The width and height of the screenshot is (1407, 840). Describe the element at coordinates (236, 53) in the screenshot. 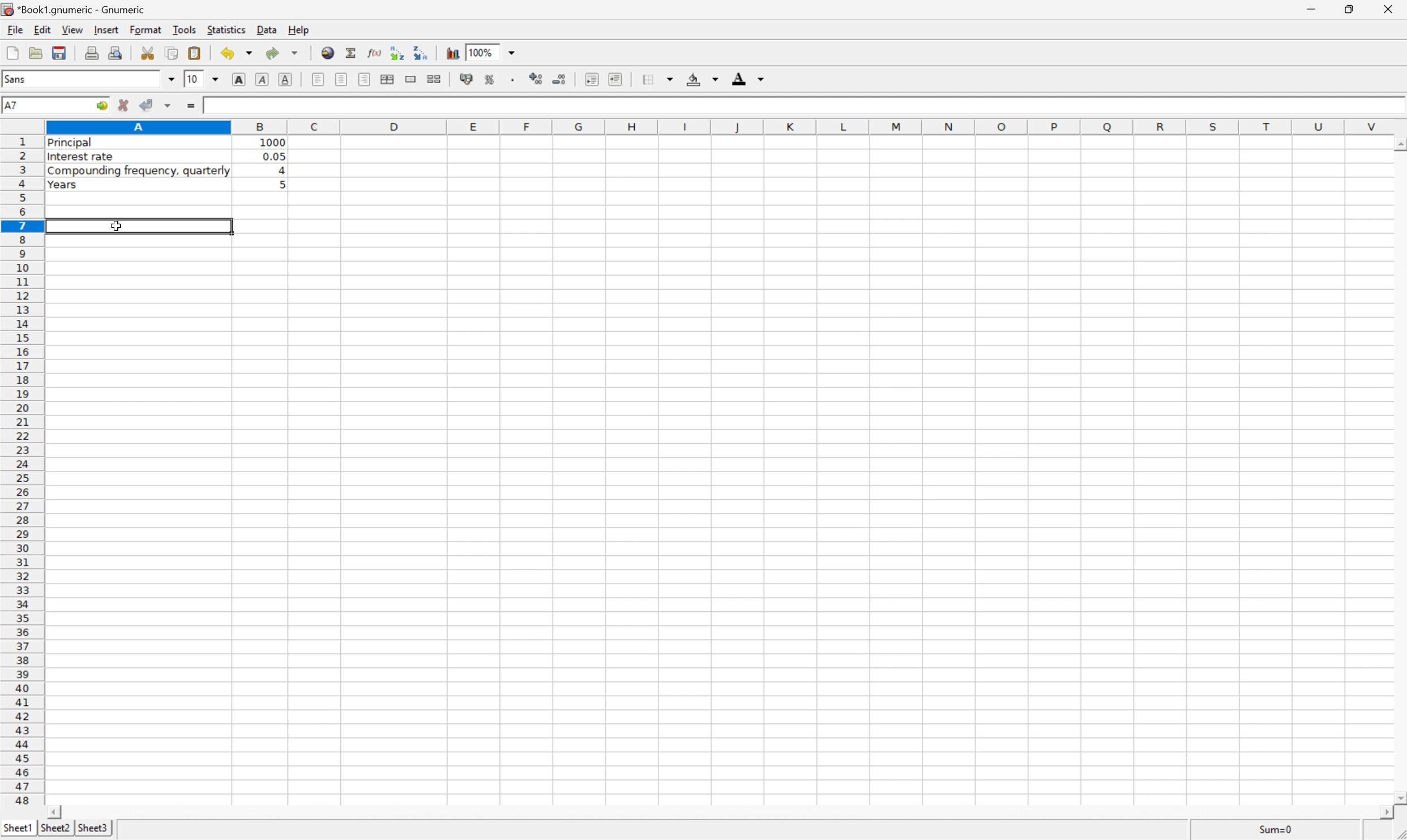

I see `undo` at that location.